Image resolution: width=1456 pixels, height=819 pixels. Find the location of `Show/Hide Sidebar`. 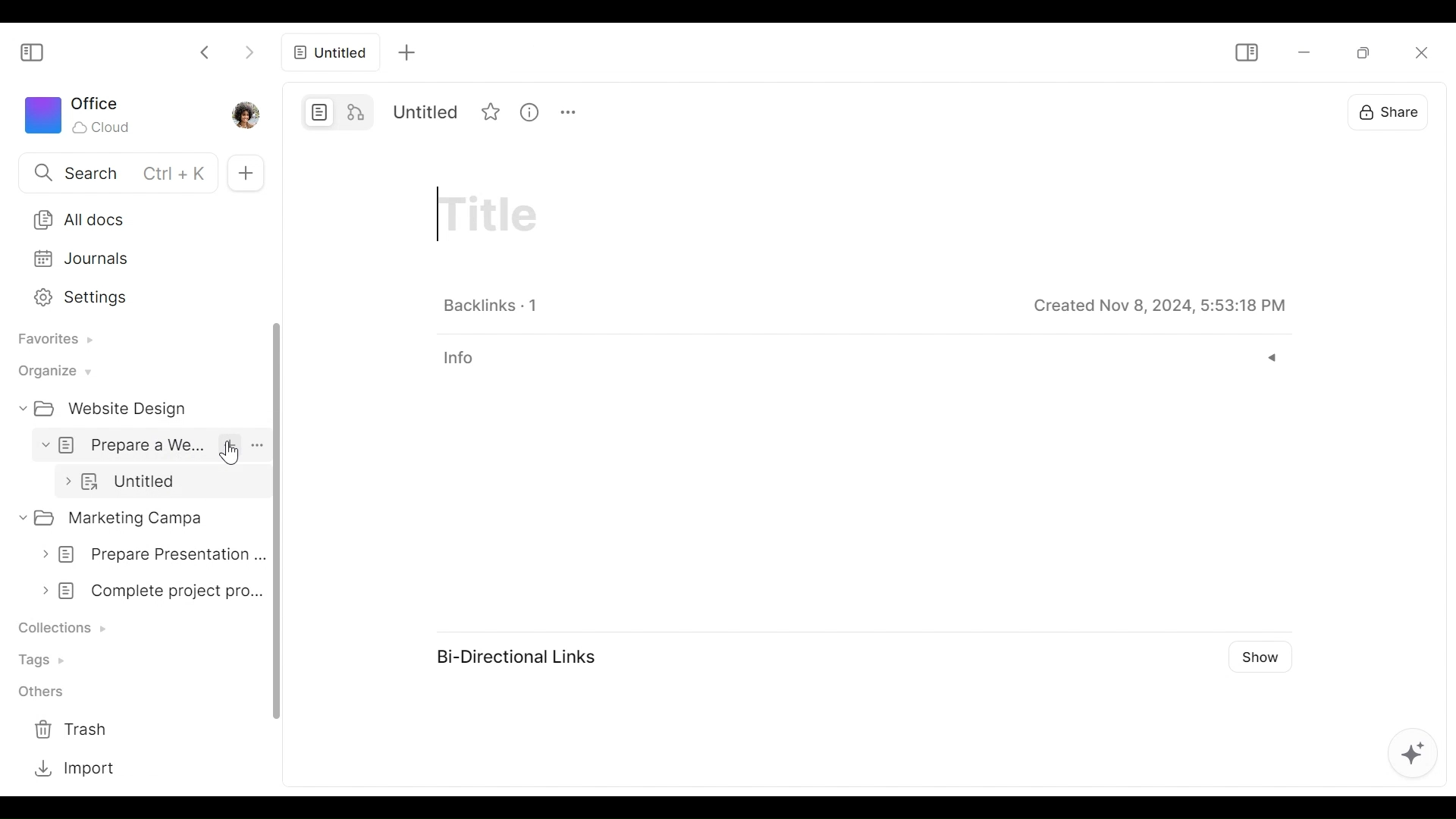

Show/Hide Sidebar is located at coordinates (30, 54).